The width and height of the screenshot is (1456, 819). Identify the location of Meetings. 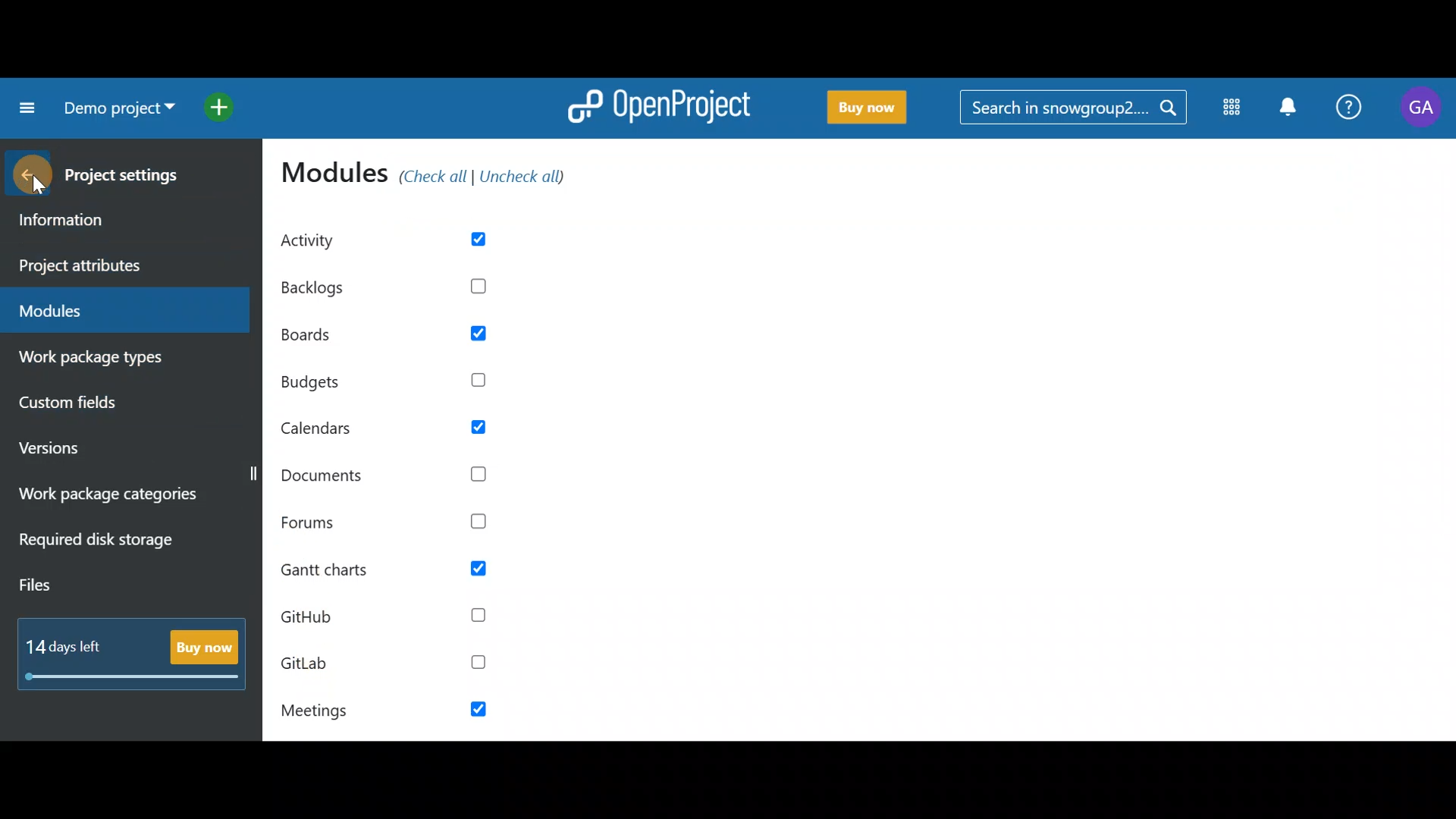
(376, 713).